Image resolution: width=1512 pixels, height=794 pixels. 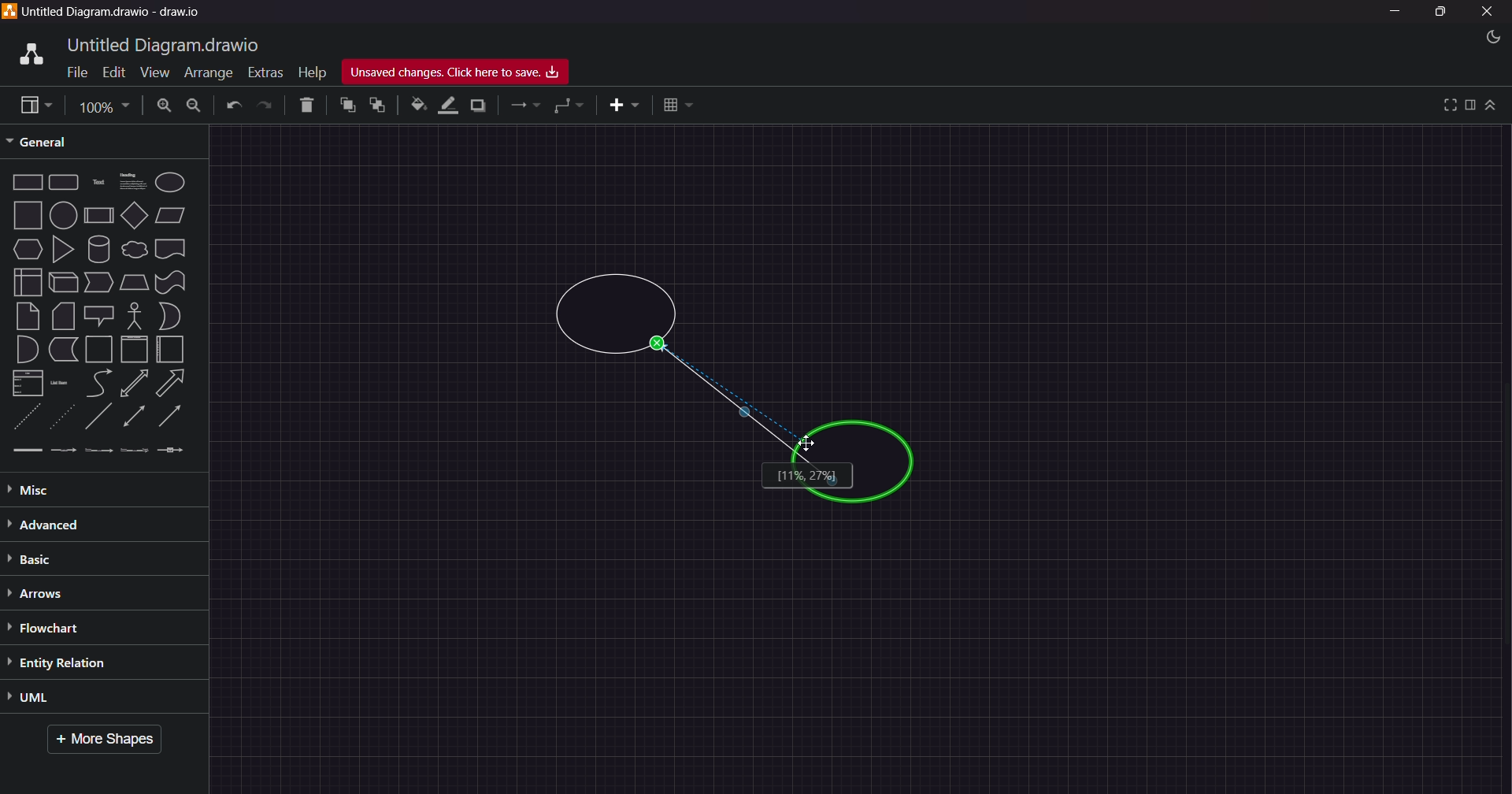 What do you see at coordinates (1484, 37) in the screenshot?
I see `Night Mode` at bounding box center [1484, 37].